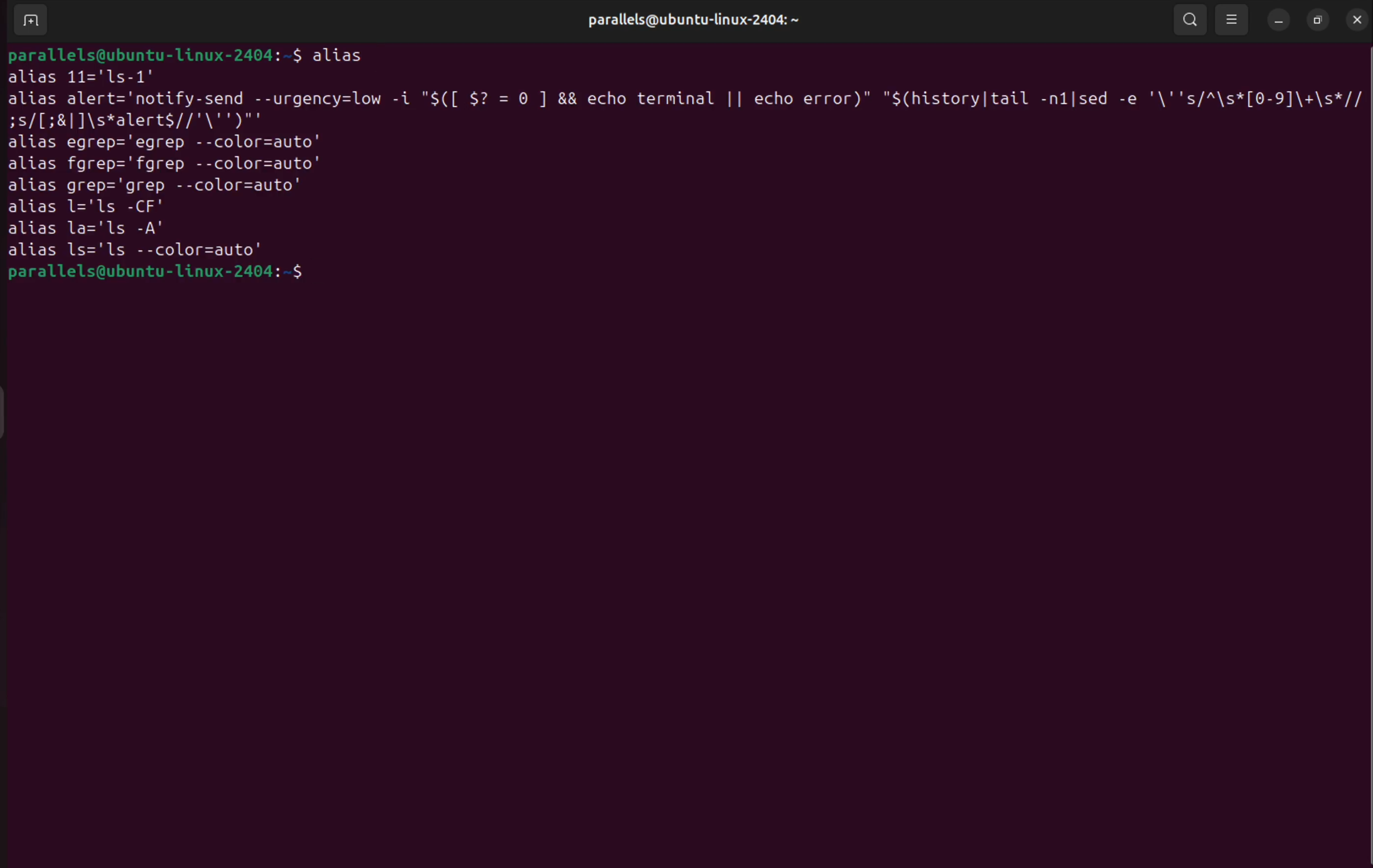 This screenshot has height=868, width=1373. Describe the element at coordinates (154, 52) in the screenshot. I see `bash prompt` at that location.